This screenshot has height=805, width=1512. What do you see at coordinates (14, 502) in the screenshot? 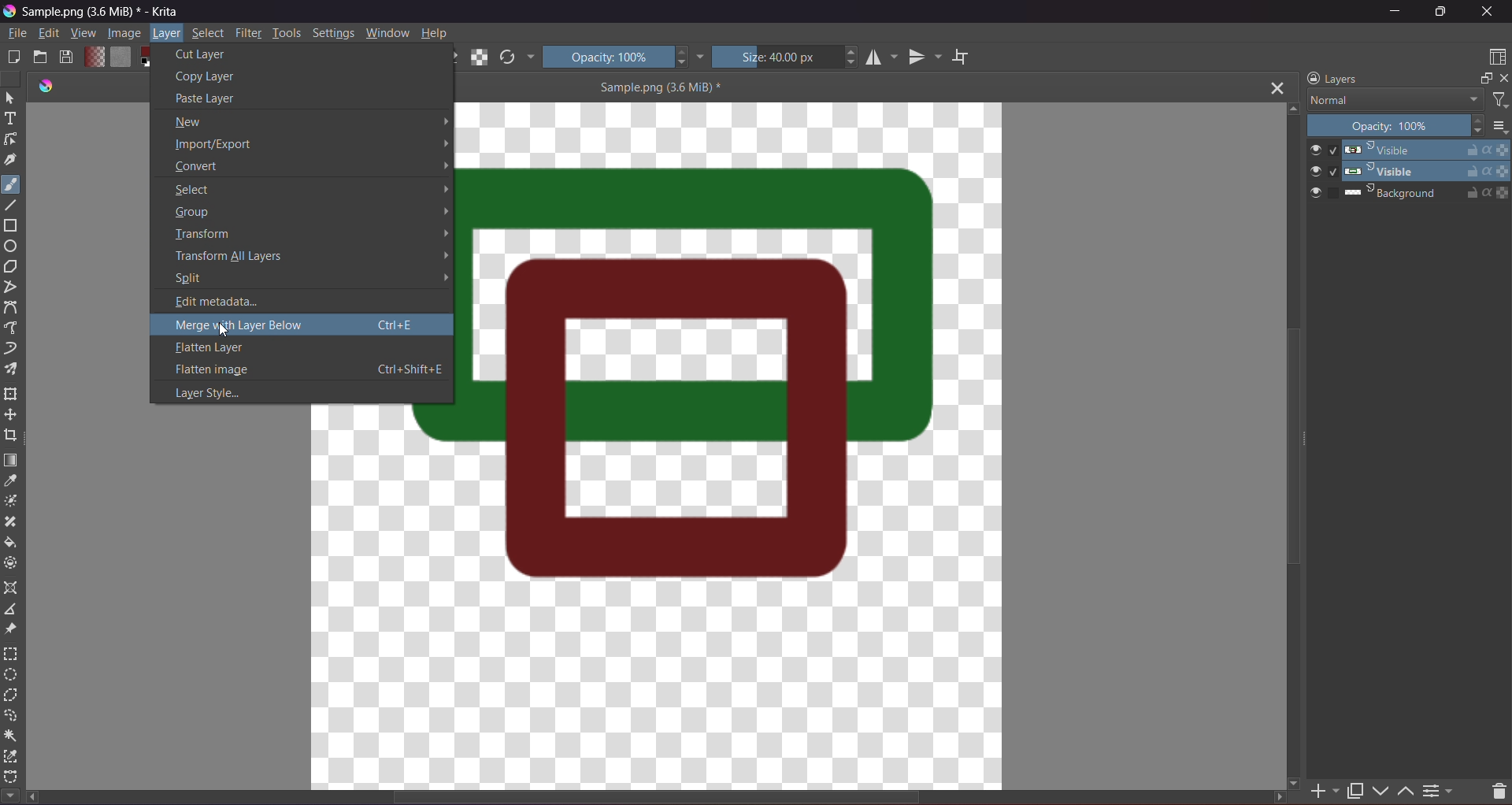
I see `Colorize Mask` at bounding box center [14, 502].